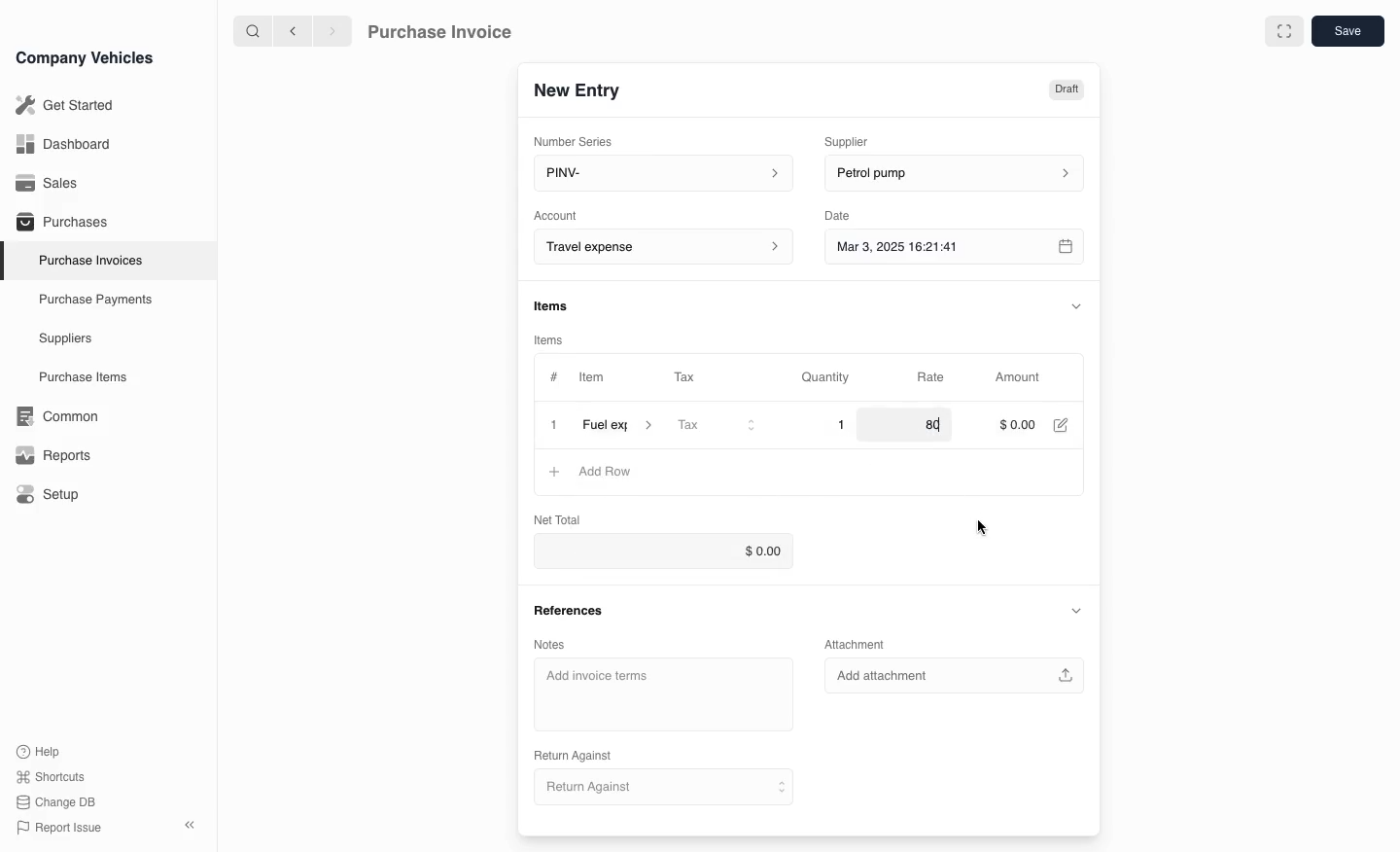 This screenshot has height=852, width=1400. What do you see at coordinates (838, 216) in the screenshot?
I see `Date` at bounding box center [838, 216].